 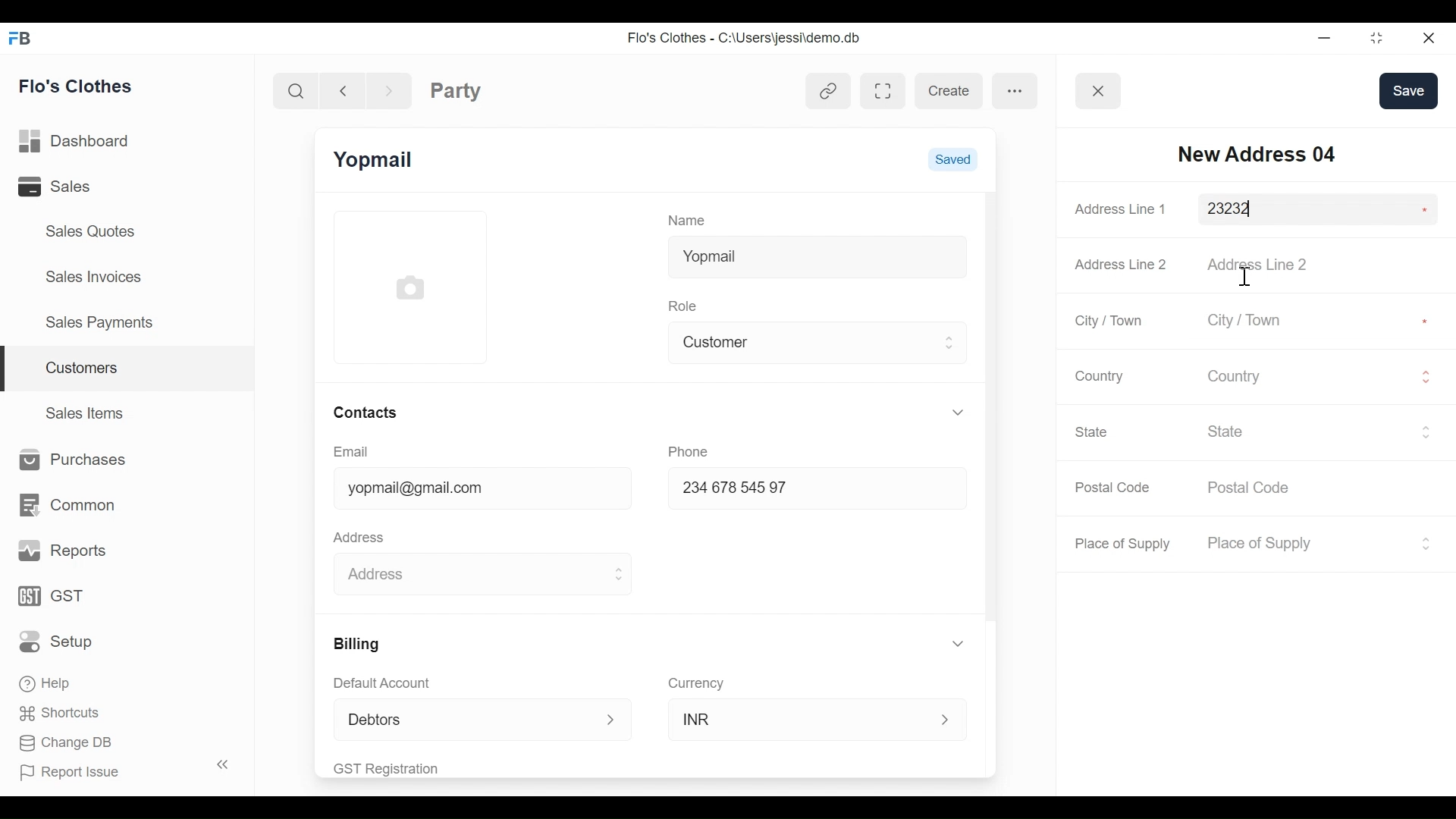 What do you see at coordinates (1426, 37) in the screenshot?
I see `Close` at bounding box center [1426, 37].